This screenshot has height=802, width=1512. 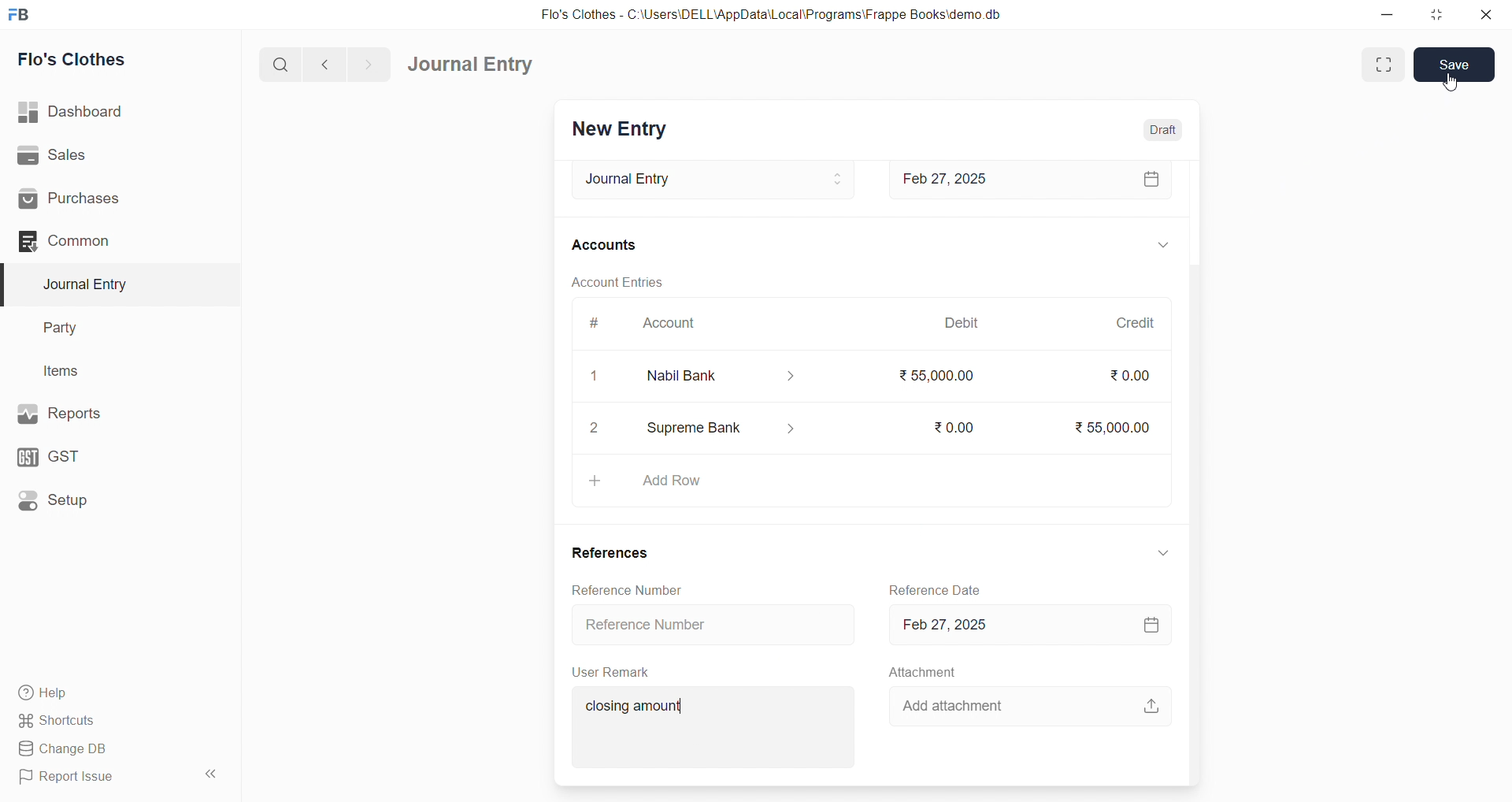 I want to click on + Add Row, so click(x=869, y=481).